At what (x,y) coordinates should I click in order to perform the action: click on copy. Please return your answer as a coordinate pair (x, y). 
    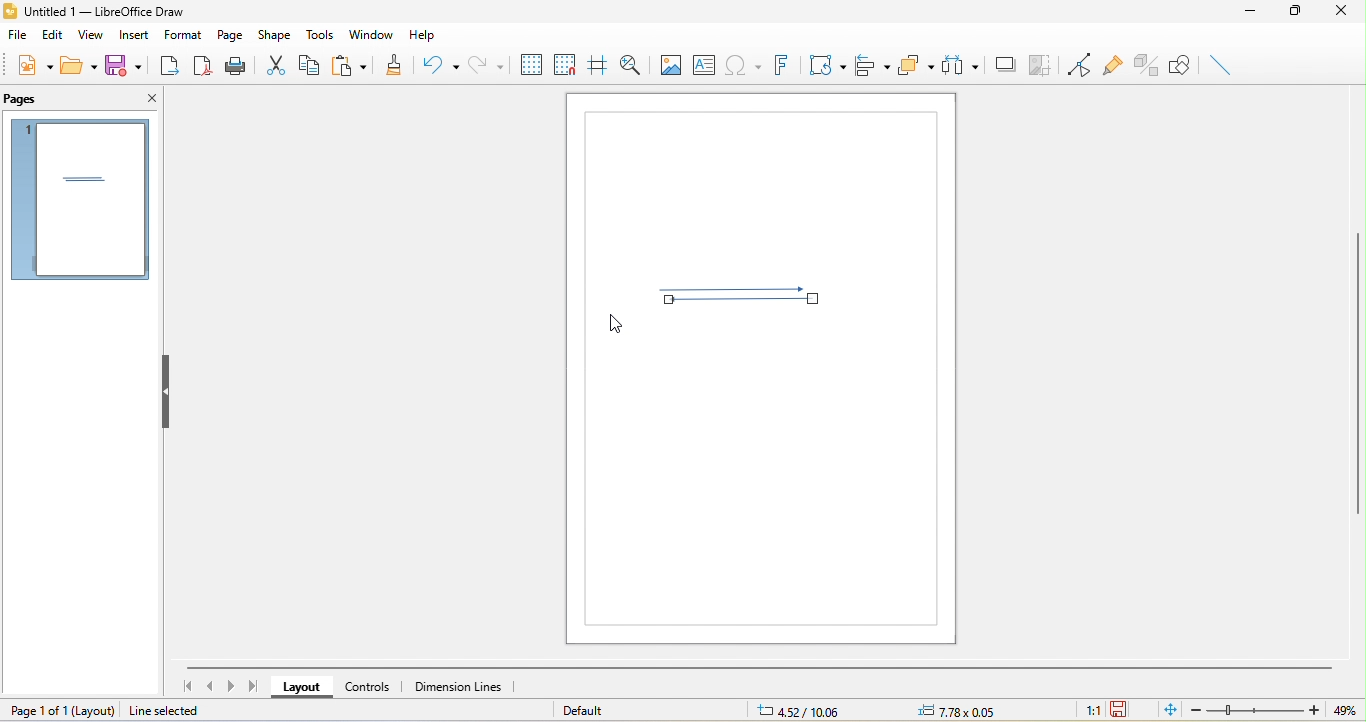
    Looking at the image, I should click on (316, 68).